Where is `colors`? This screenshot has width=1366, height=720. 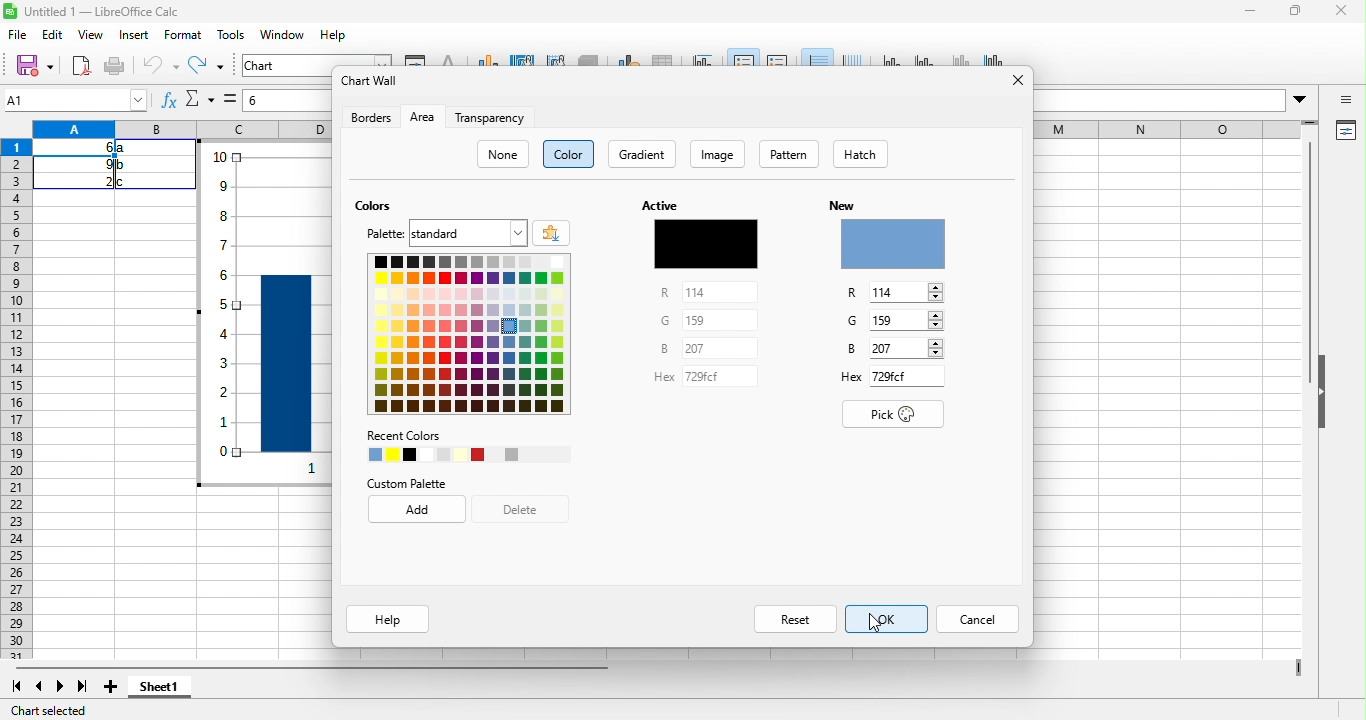 colors is located at coordinates (470, 333).